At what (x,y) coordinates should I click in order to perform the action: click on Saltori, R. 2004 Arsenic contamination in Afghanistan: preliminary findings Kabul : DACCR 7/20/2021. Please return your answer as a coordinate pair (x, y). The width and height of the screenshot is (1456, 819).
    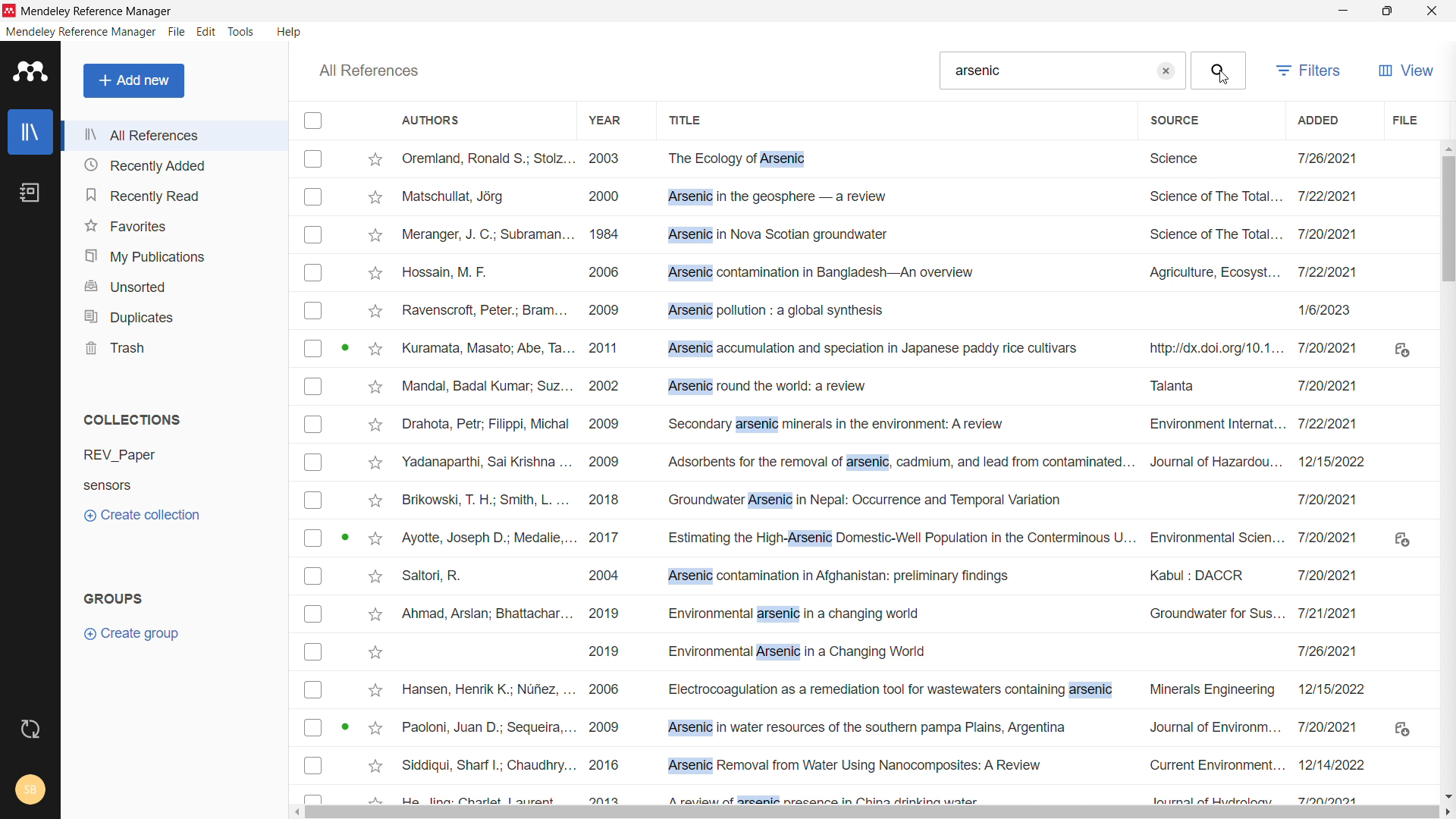
    Looking at the image, I should click on (879, 575).